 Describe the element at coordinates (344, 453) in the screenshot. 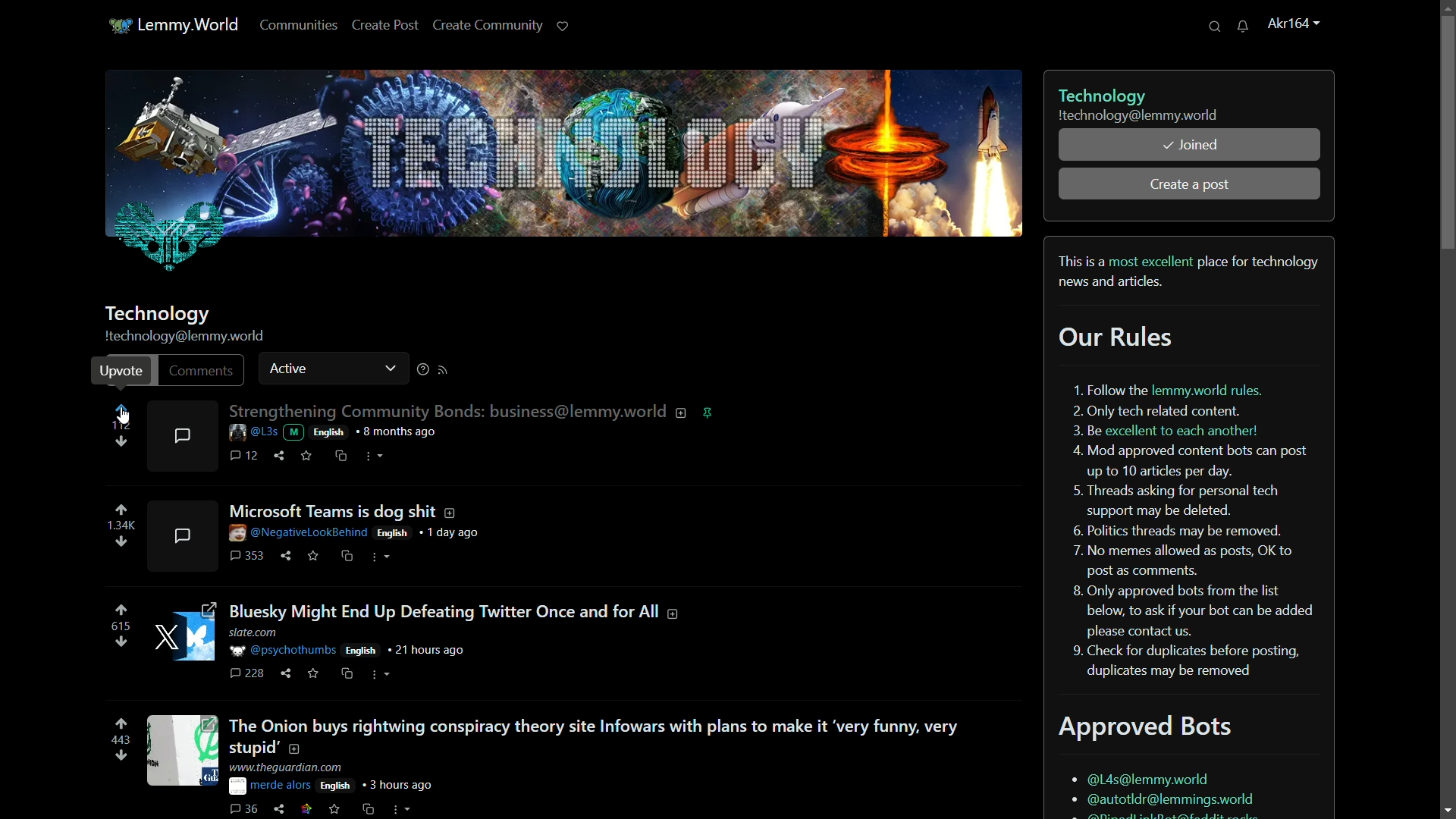

I see `cs` at that location.